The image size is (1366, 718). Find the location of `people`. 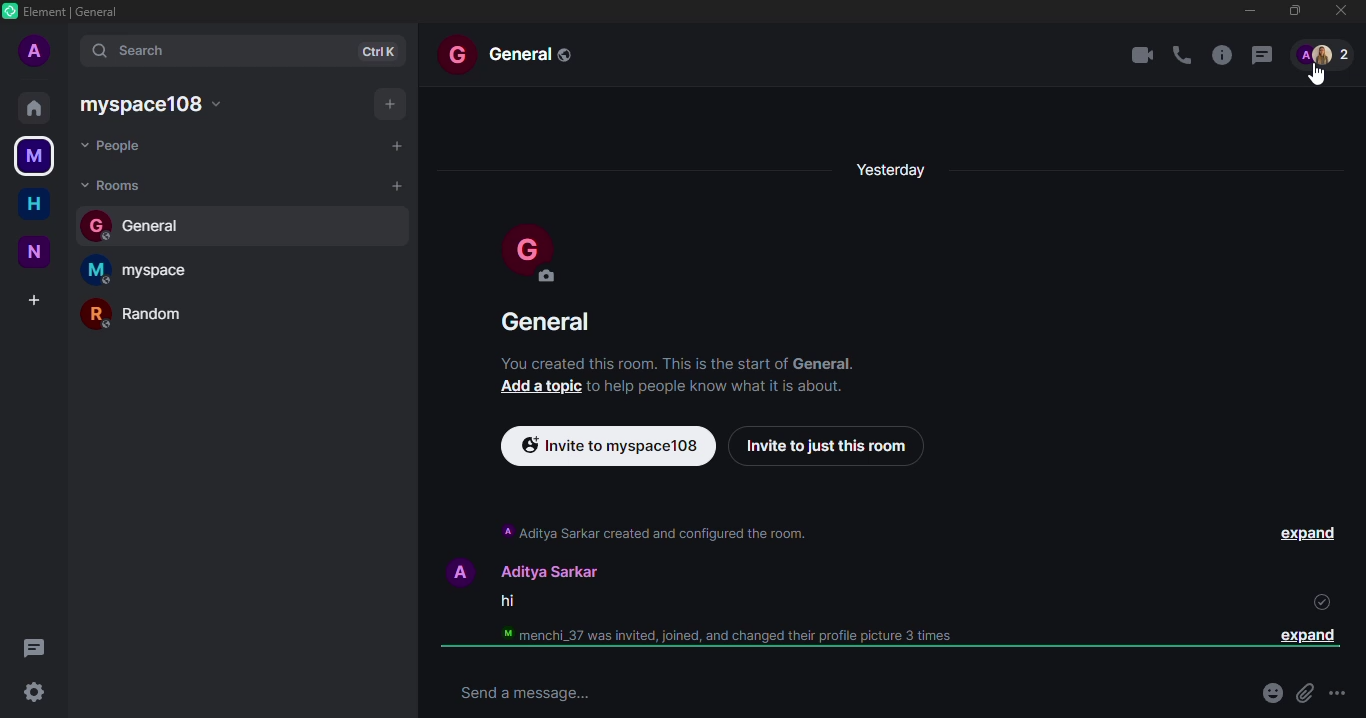

people is located at coordinates (1324, 53).